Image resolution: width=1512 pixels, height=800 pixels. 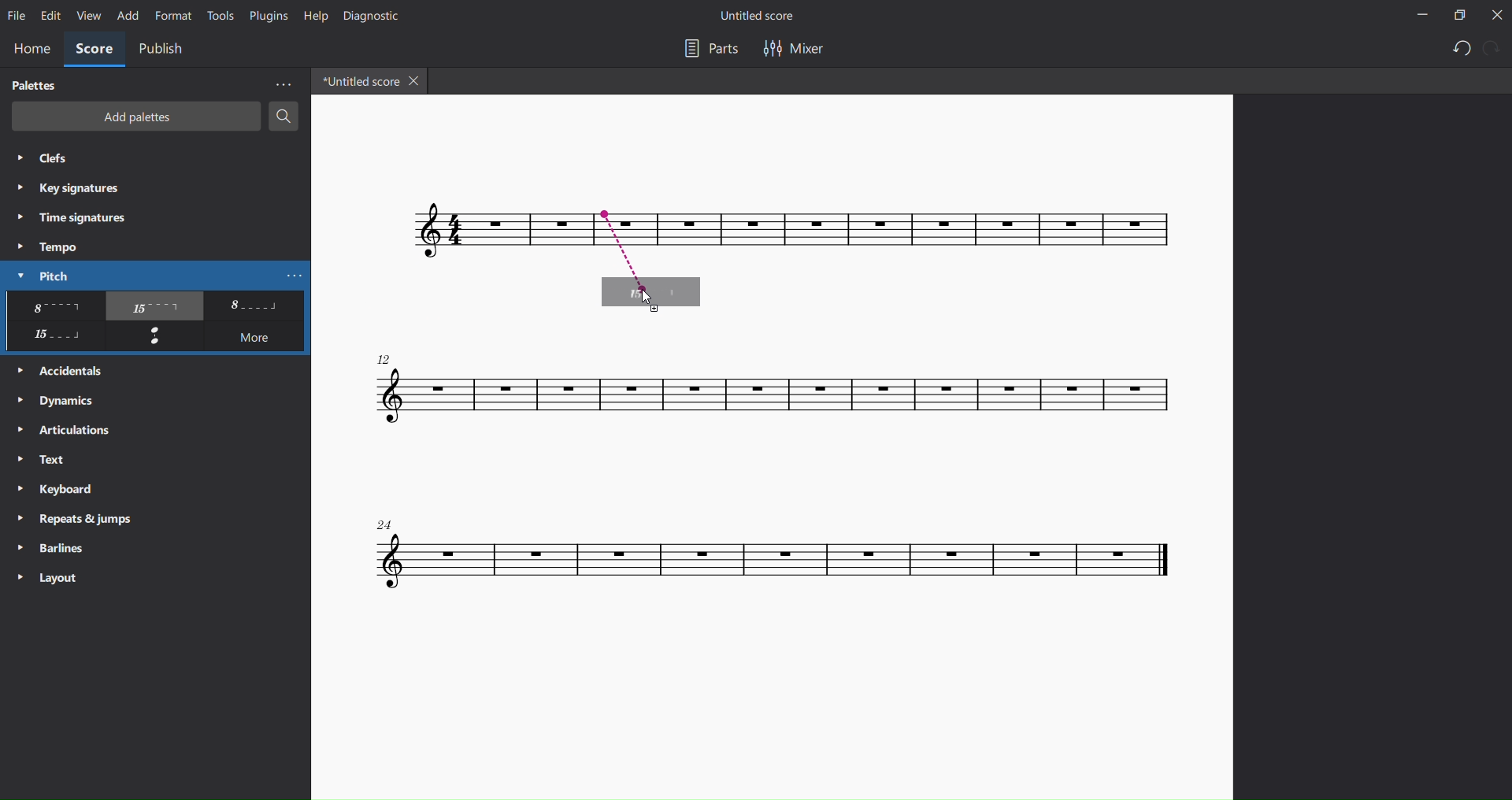 What do you see at coordinates (315, 17) in the screenshot?
I see `help` at bounding box center [315, 17].